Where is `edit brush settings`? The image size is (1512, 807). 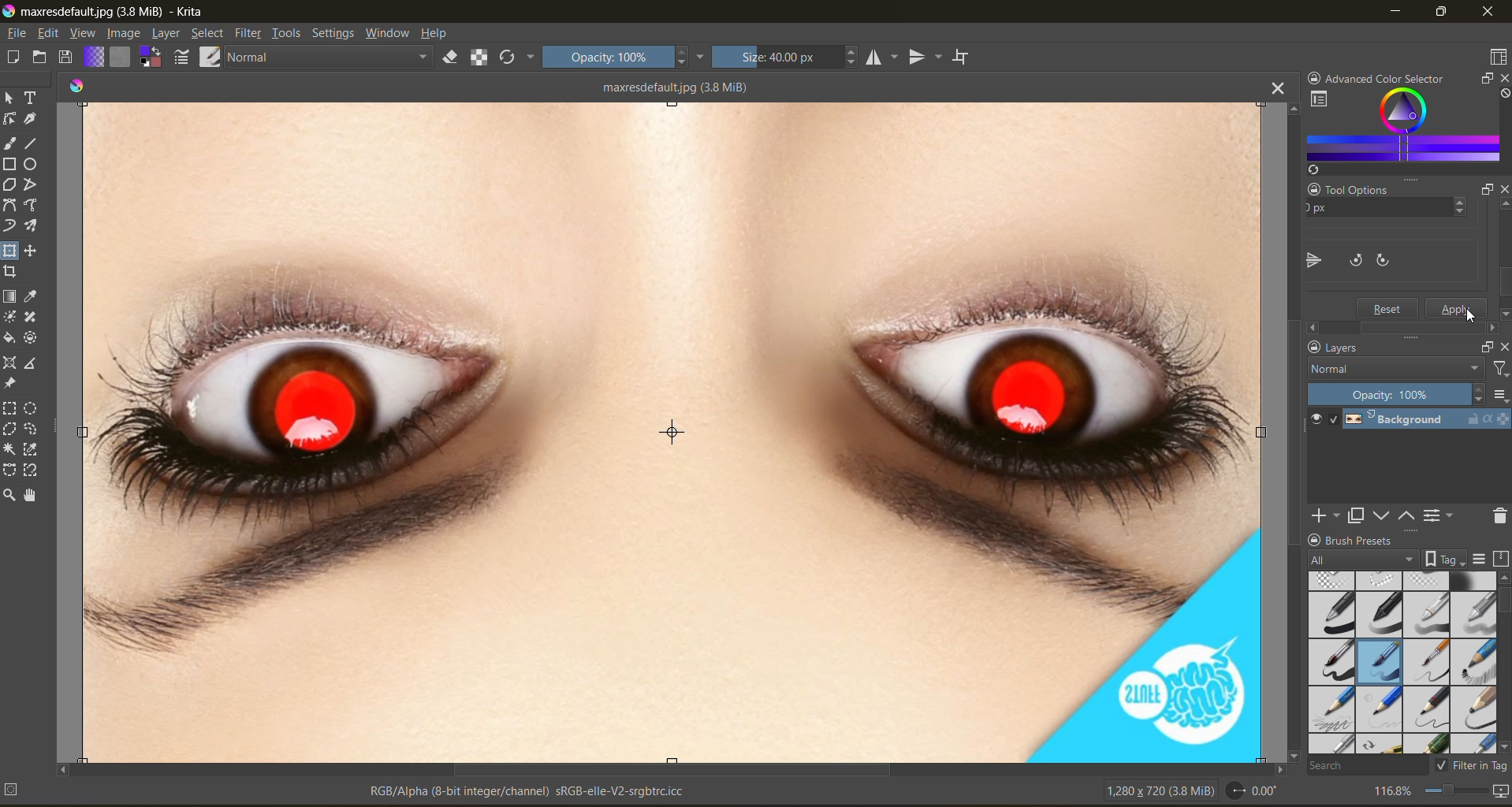 edit brush settings is located at coordinates (185, 59).